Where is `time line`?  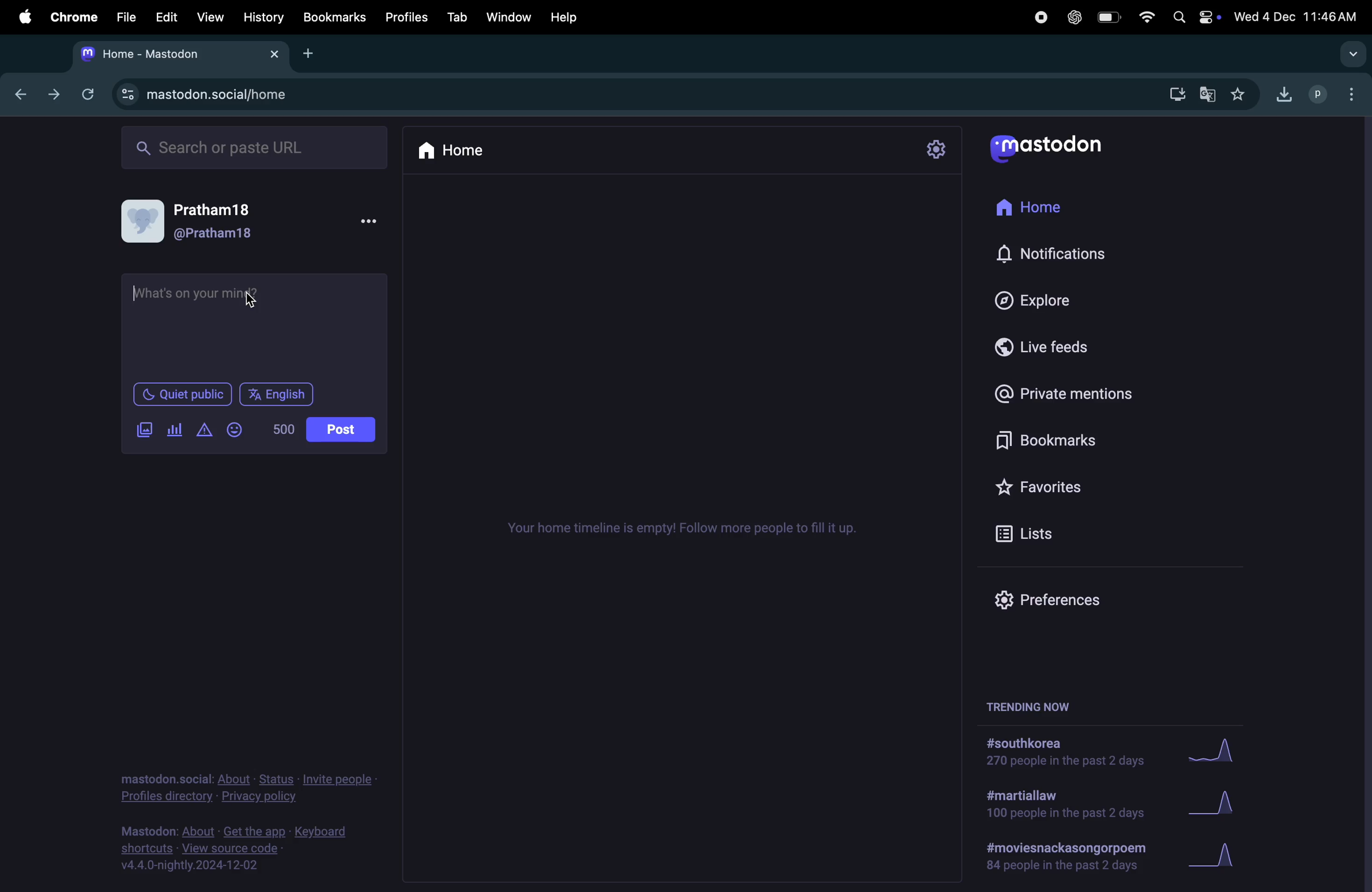 time line is located at coordinates (690, 531).